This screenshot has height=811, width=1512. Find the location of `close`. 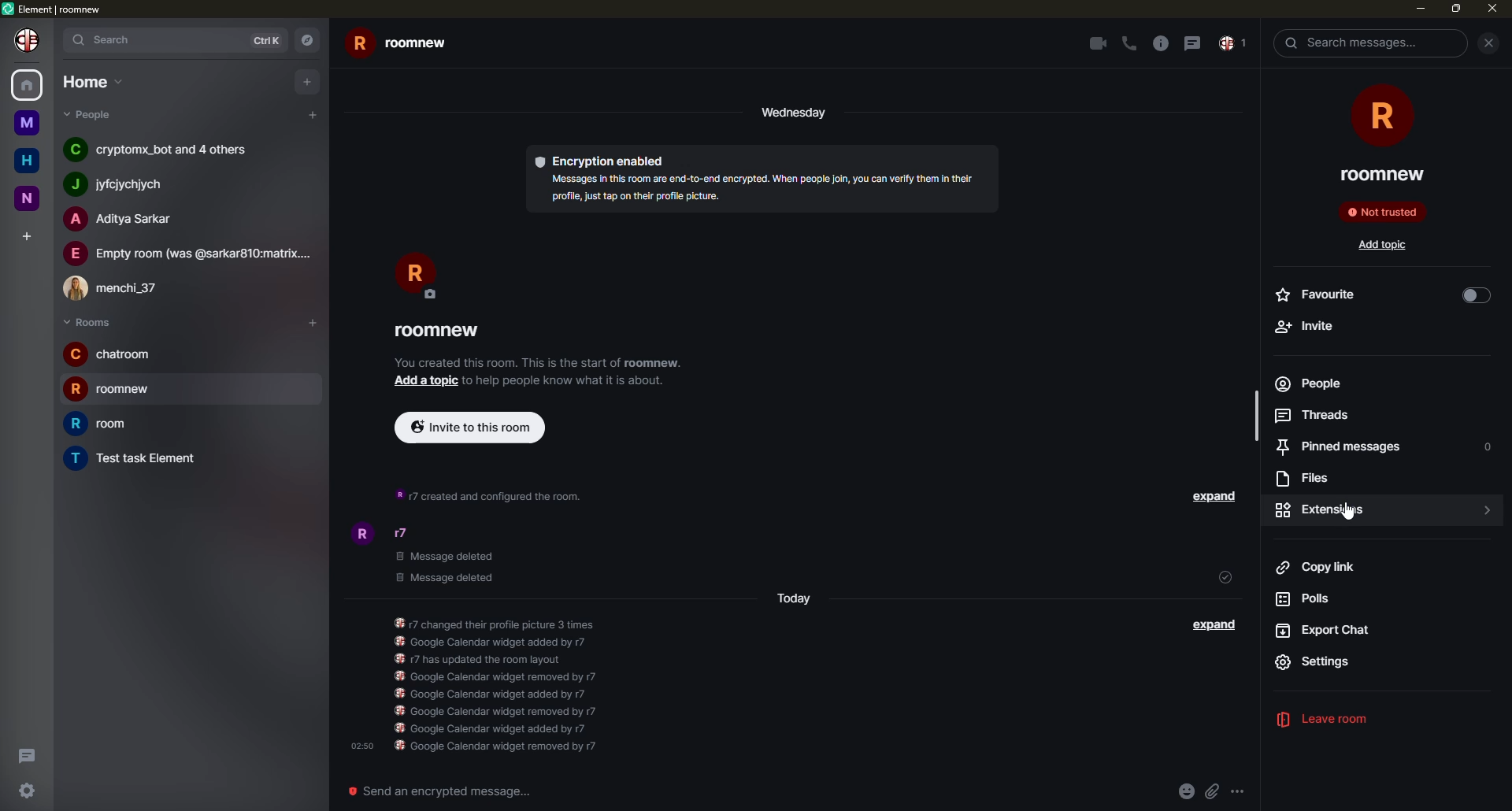

close is located at coordinates (1492, 42).